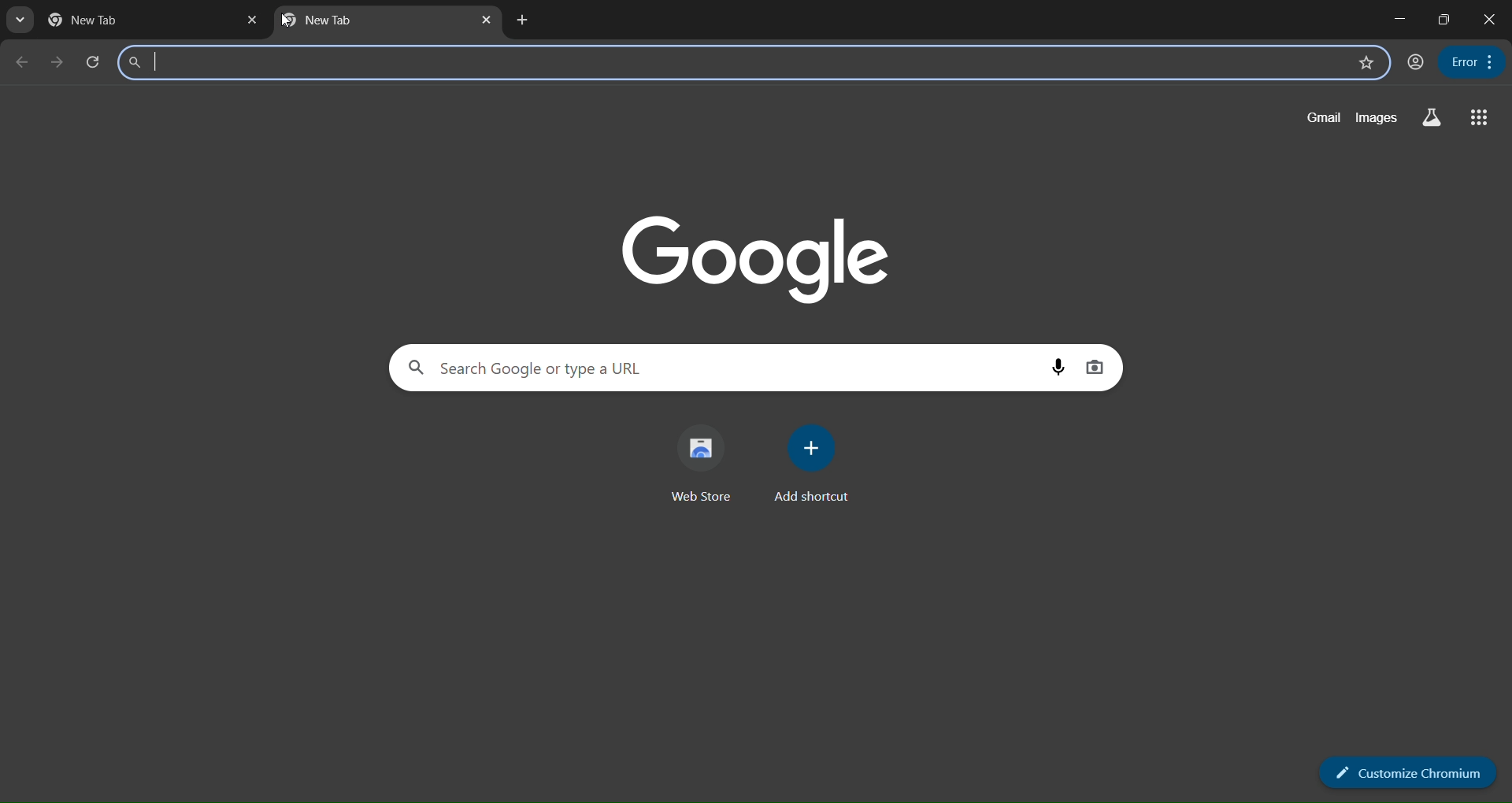 This screenshot has height=803, width=1512. What do you see at coordinates (1482, 119) in the screenshot?
I see `google apps` at bounding box center [1482, 119].